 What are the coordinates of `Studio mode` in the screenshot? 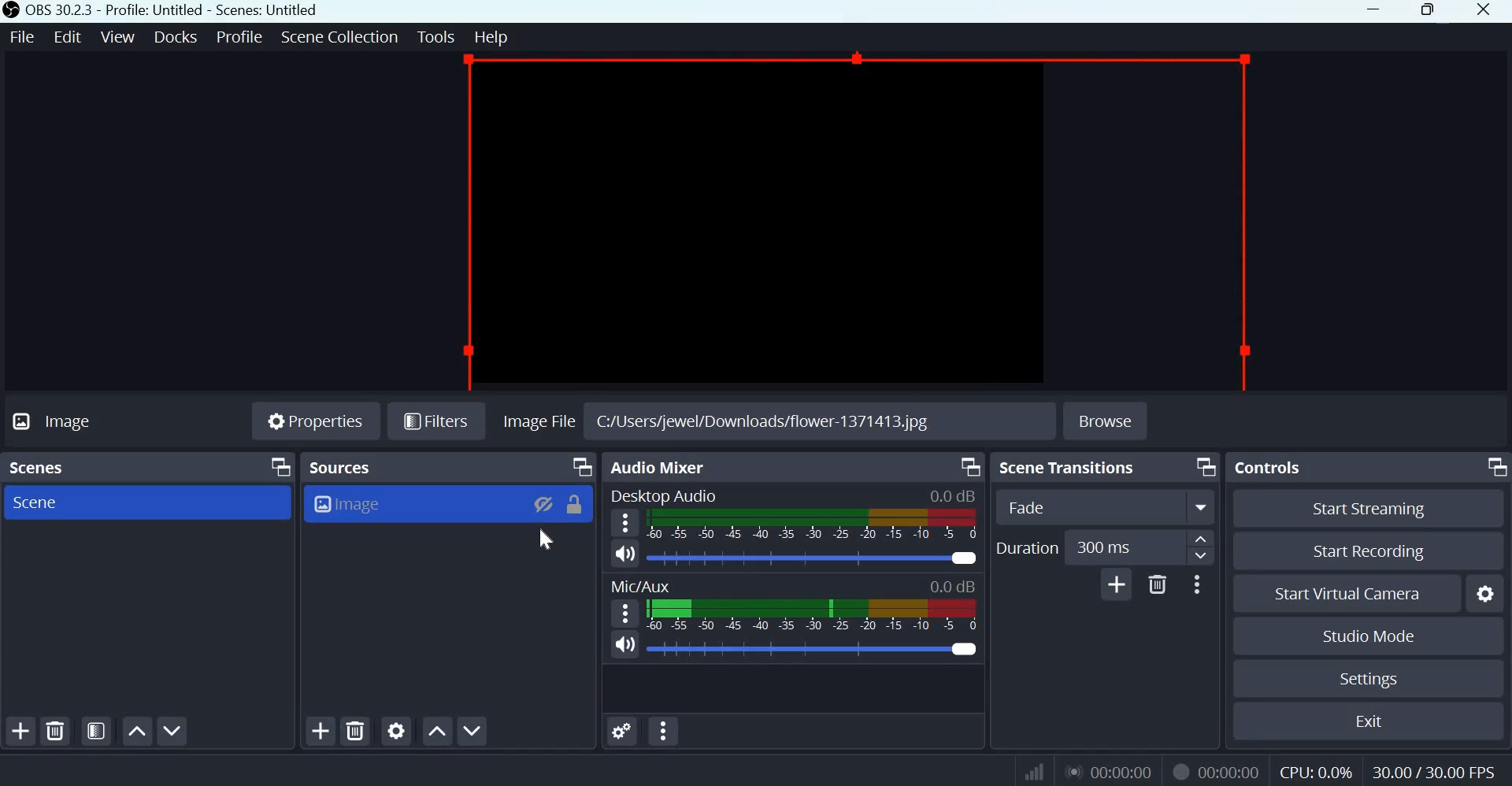 It's located at (1371, 636).